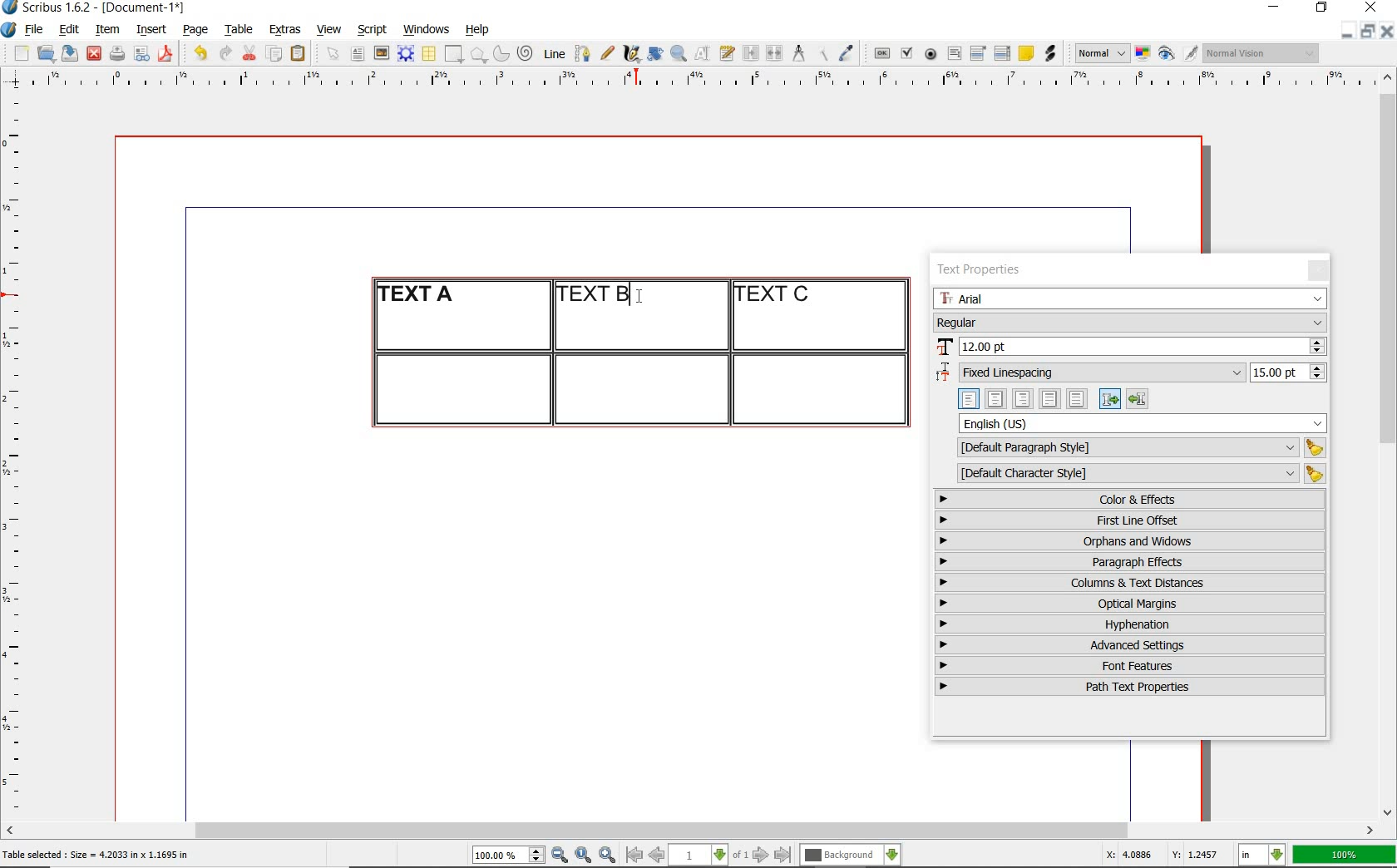  I want to click on extras, so click(285, 31).